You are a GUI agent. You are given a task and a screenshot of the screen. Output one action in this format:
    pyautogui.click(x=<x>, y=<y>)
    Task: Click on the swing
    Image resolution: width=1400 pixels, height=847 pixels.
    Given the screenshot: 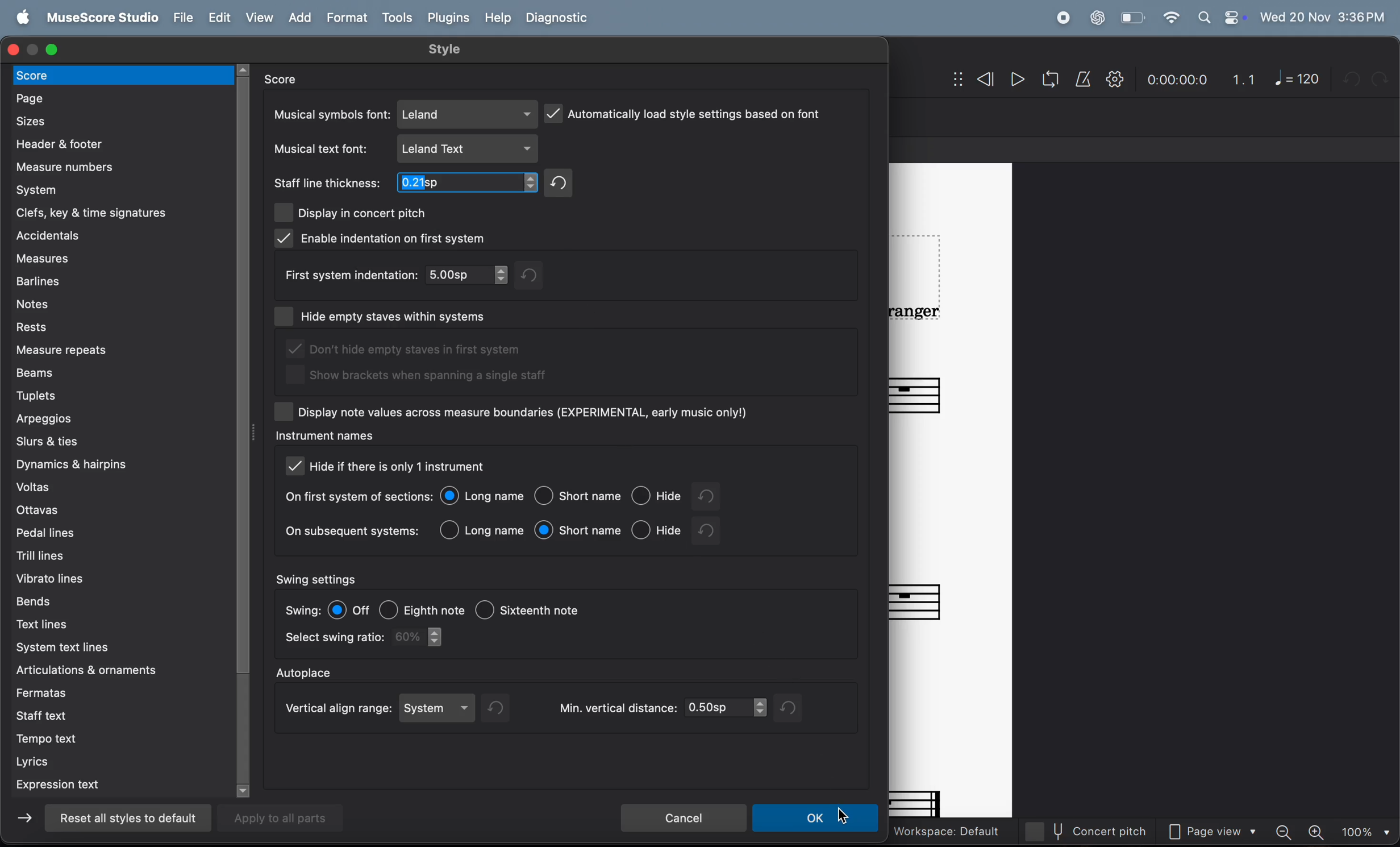 What is the action you would take?
    pyautogui.click(x=302, y=609)
    